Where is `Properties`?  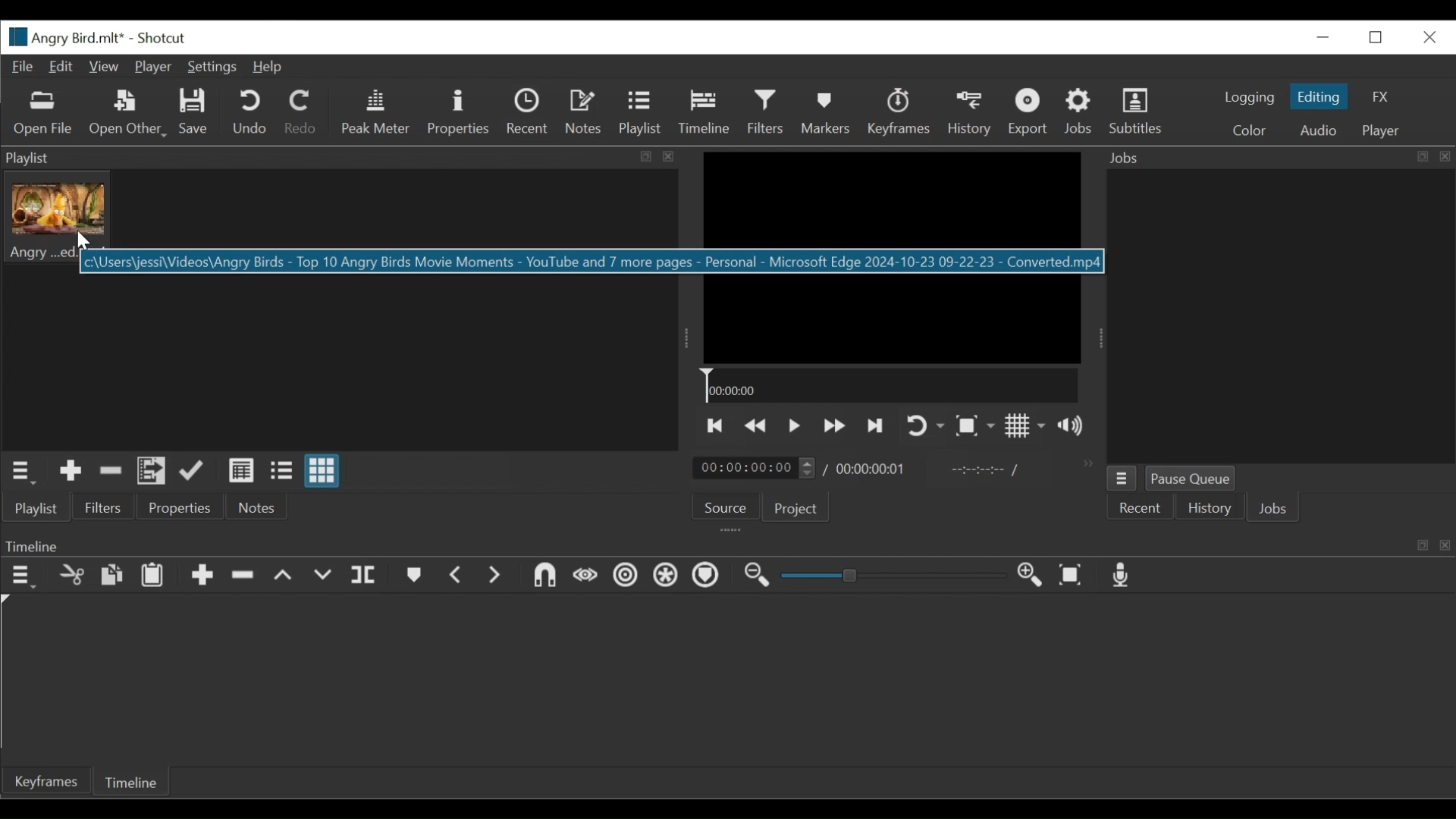
Properties is located at coordinates (459, 113).